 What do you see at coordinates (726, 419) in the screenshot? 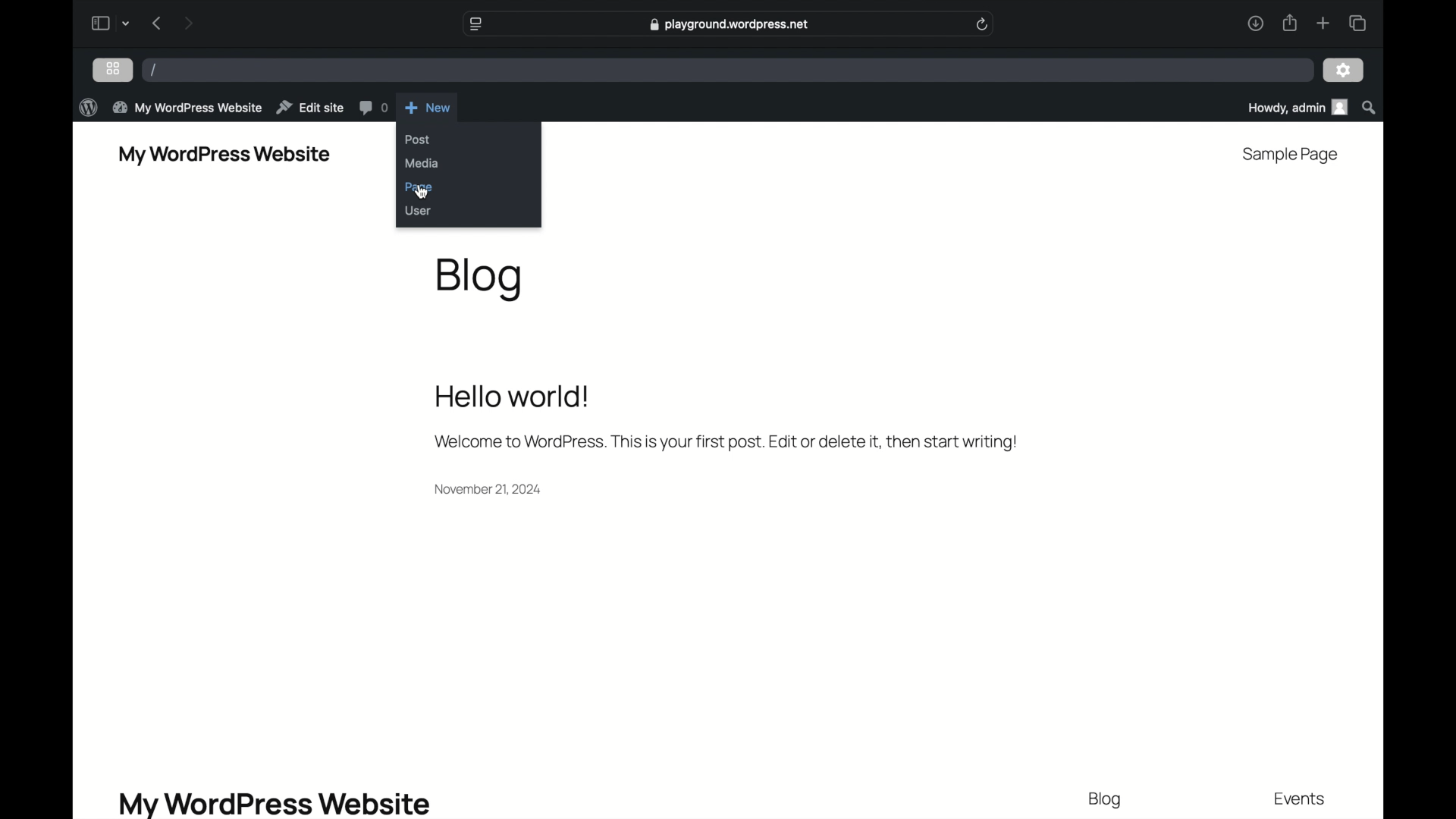
I see `welcome message` at bounding box center [726, 419].